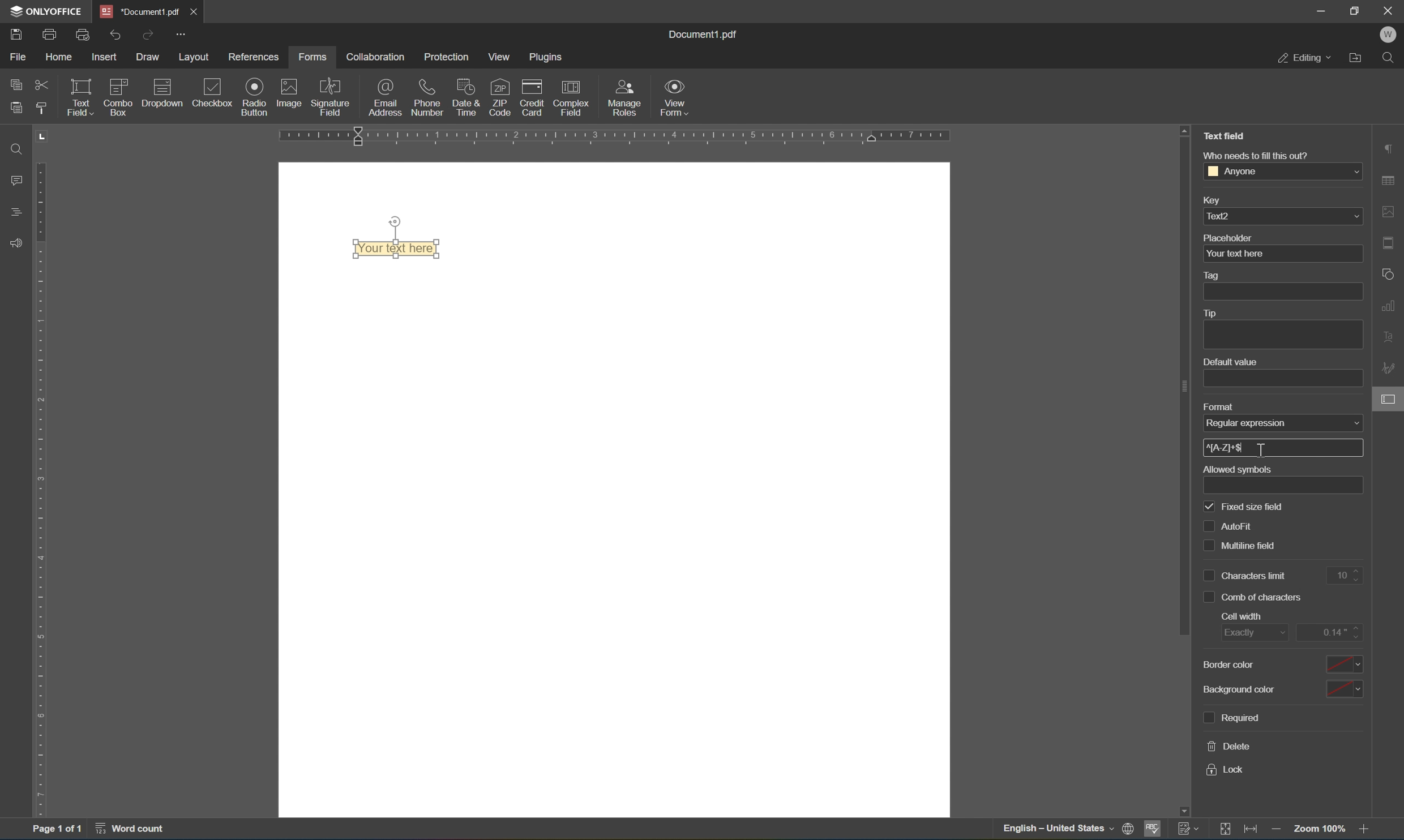 The height and width of the screenshot is (840, 1404). Describe the element at coordinates (17, 36) in the screenshot. I see `save` at that location.